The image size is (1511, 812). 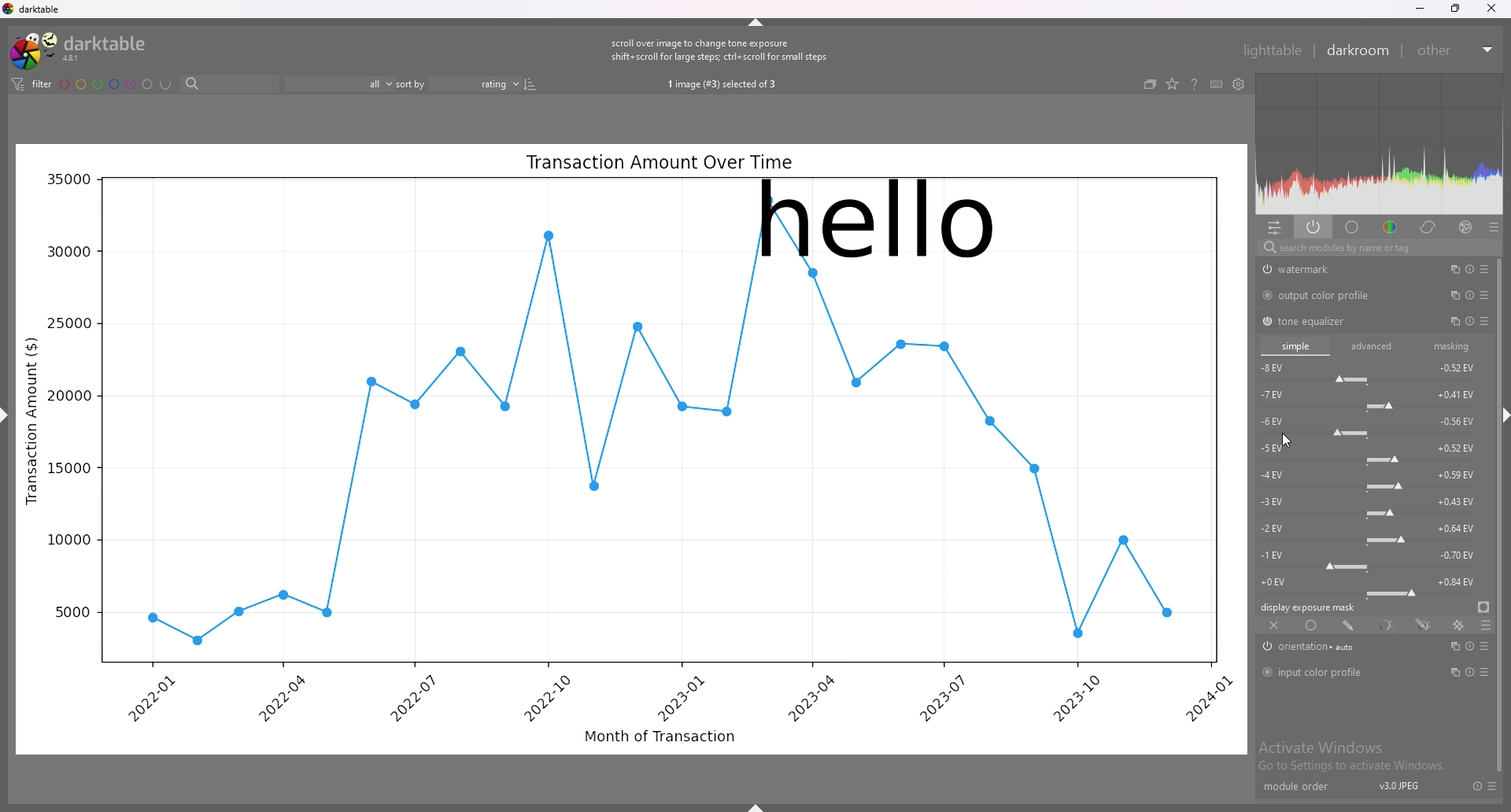 I want to click on close, so click(x=1490, y=8).